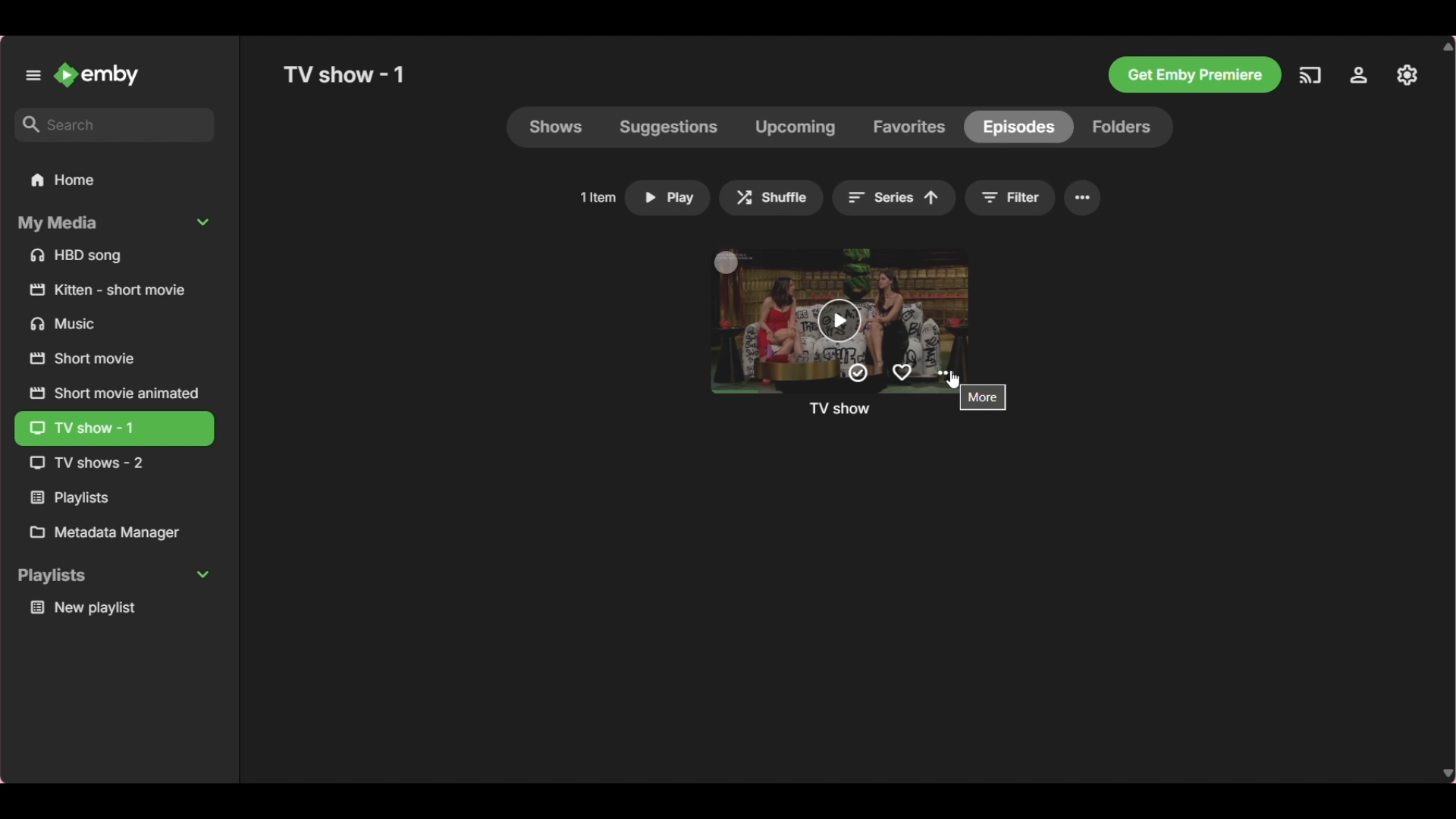  What do you see at coordinates (1310, 75) in the screenshot?
I see `Play on another device` at bounding box center [1310, 75].